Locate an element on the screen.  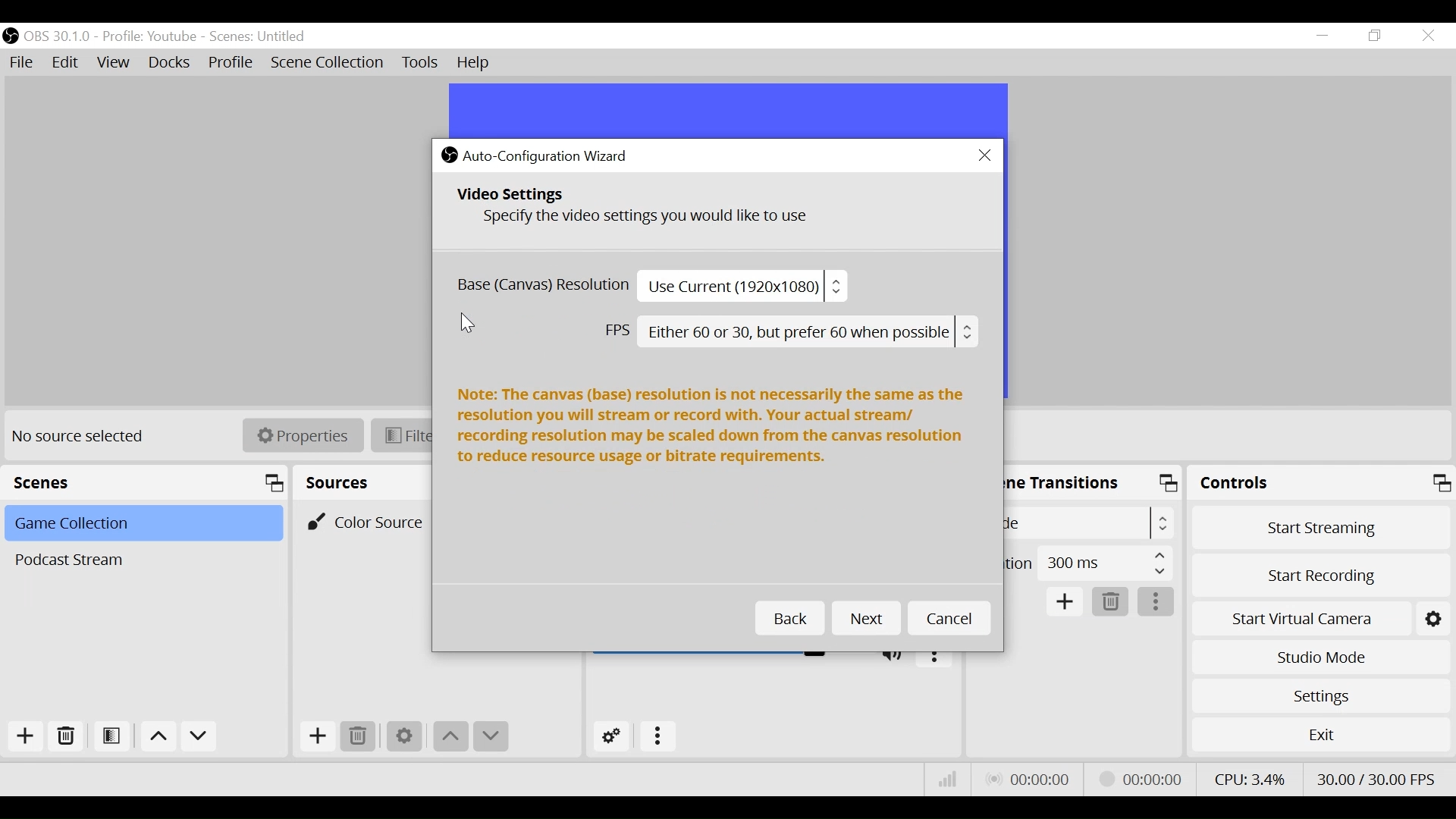
Cancel is located at coordinates (949, 620).